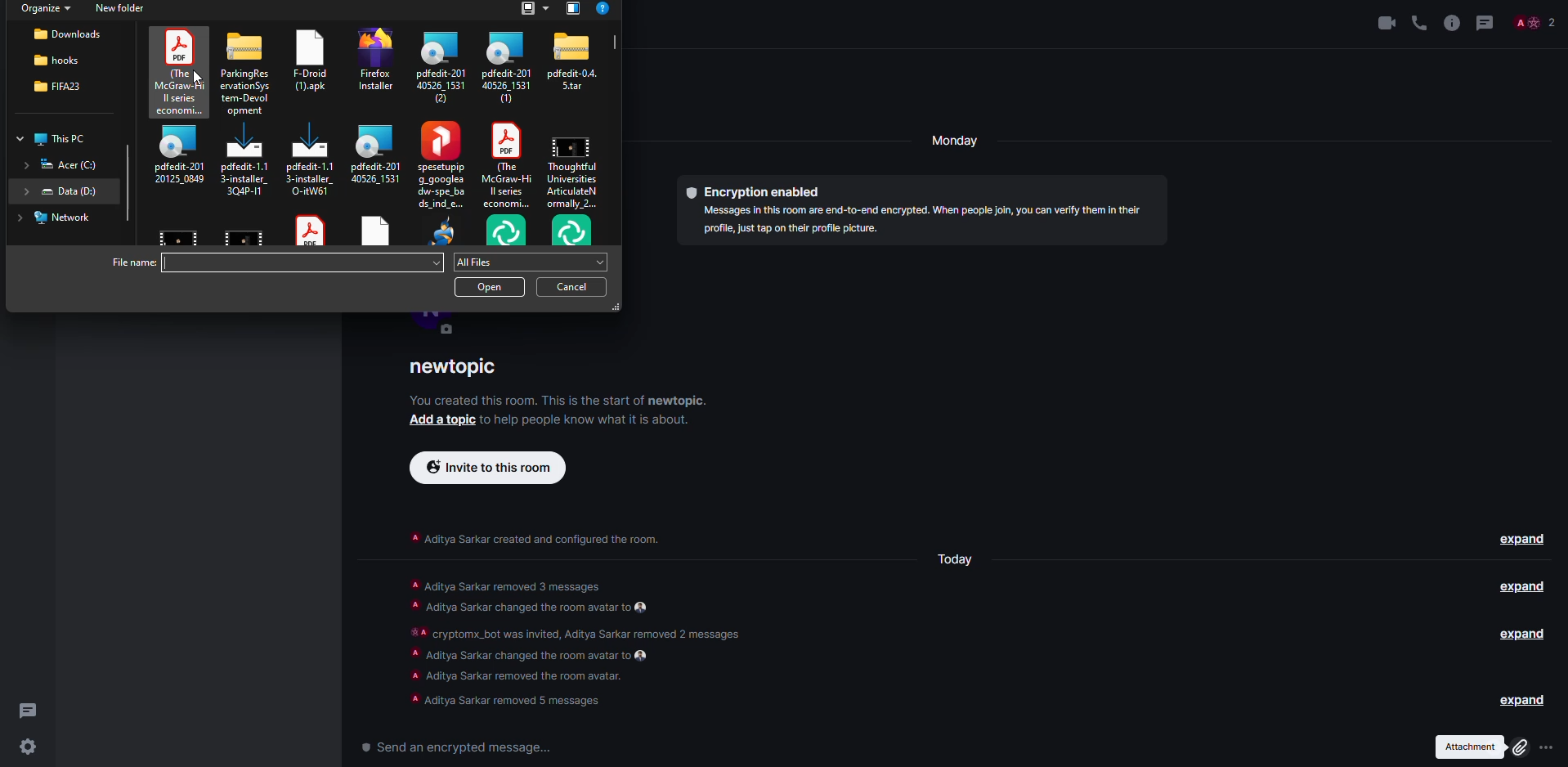 The width and height of the screenshot is (1568, 767). I want to click on day, so click(959, 560).